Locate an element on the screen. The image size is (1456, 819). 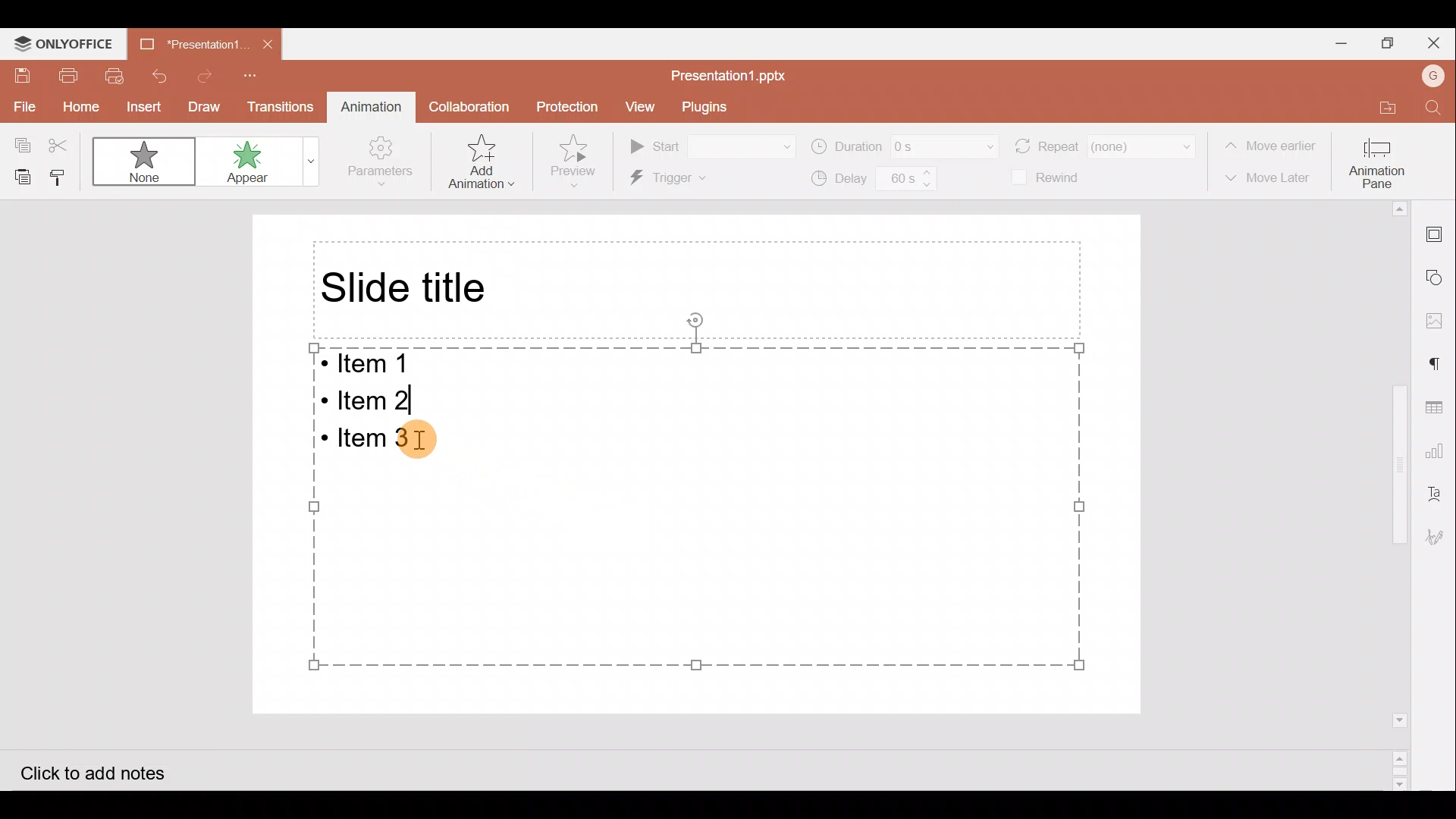
Plugins is located at coordinates (708, 105).